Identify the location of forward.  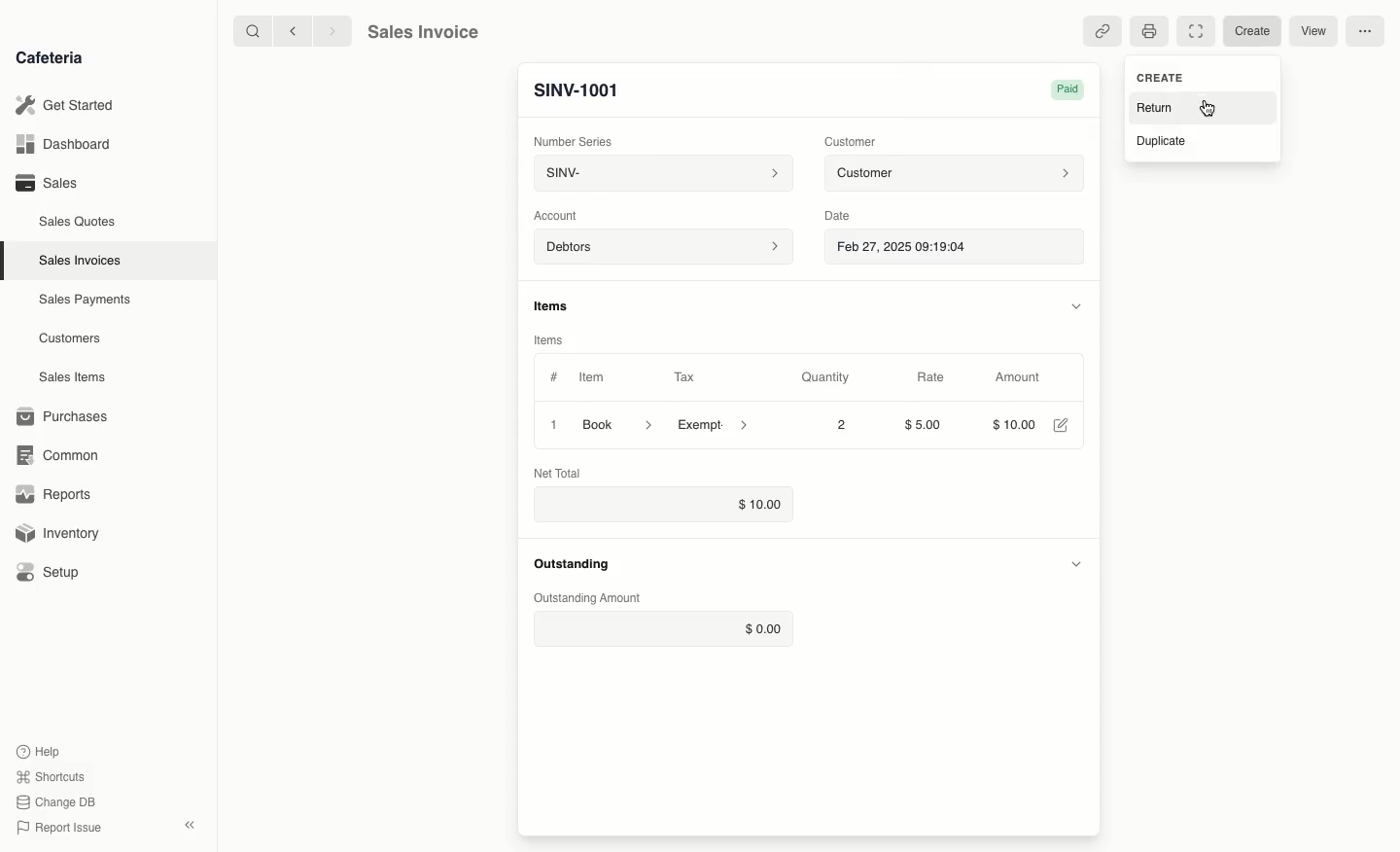
(334, 31).